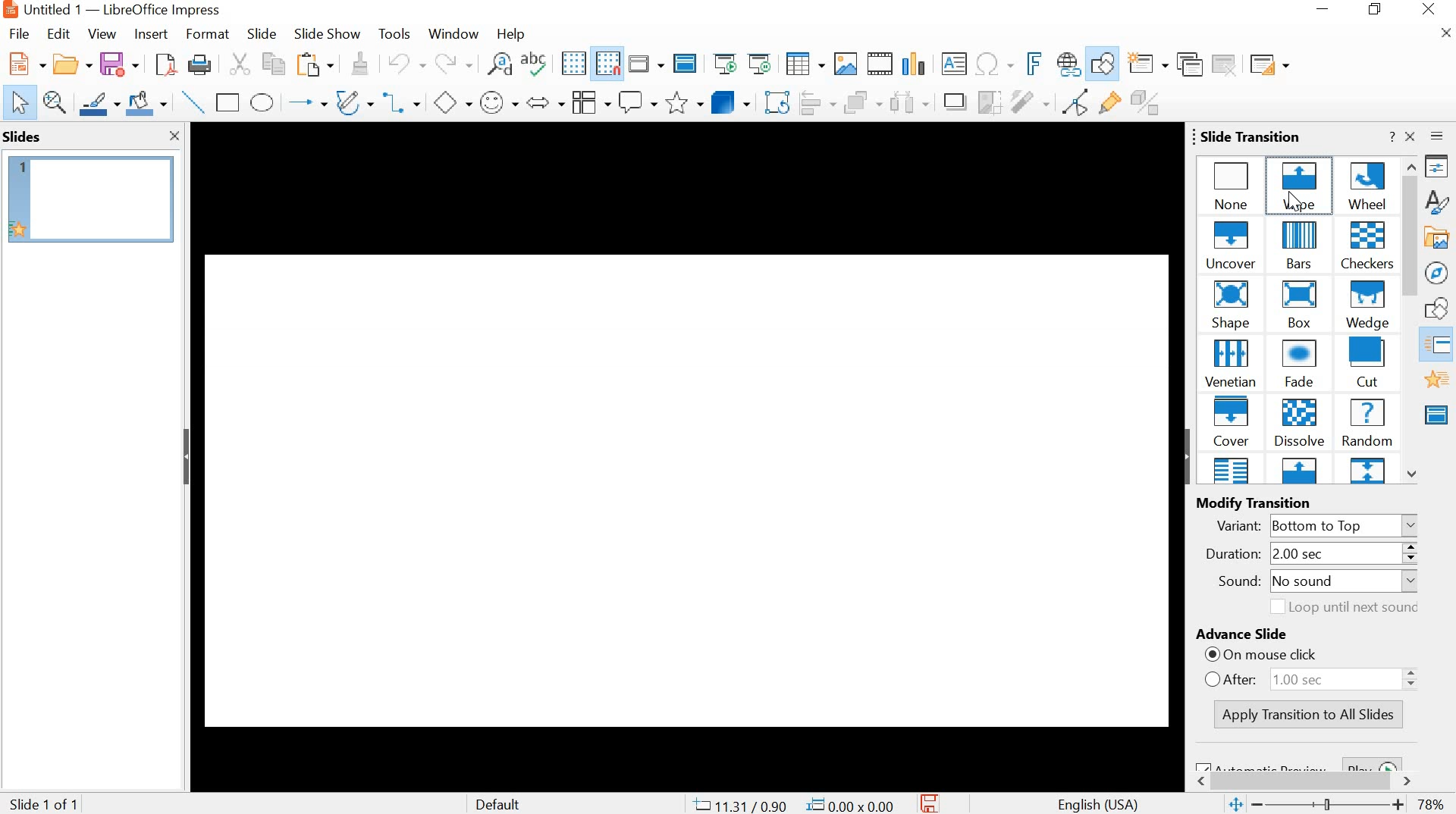 This screenshot has width=1456, height=814. Describe the element at coordinates (1411, 137) in the screenshot. I see `close sidebar deck` at that location.